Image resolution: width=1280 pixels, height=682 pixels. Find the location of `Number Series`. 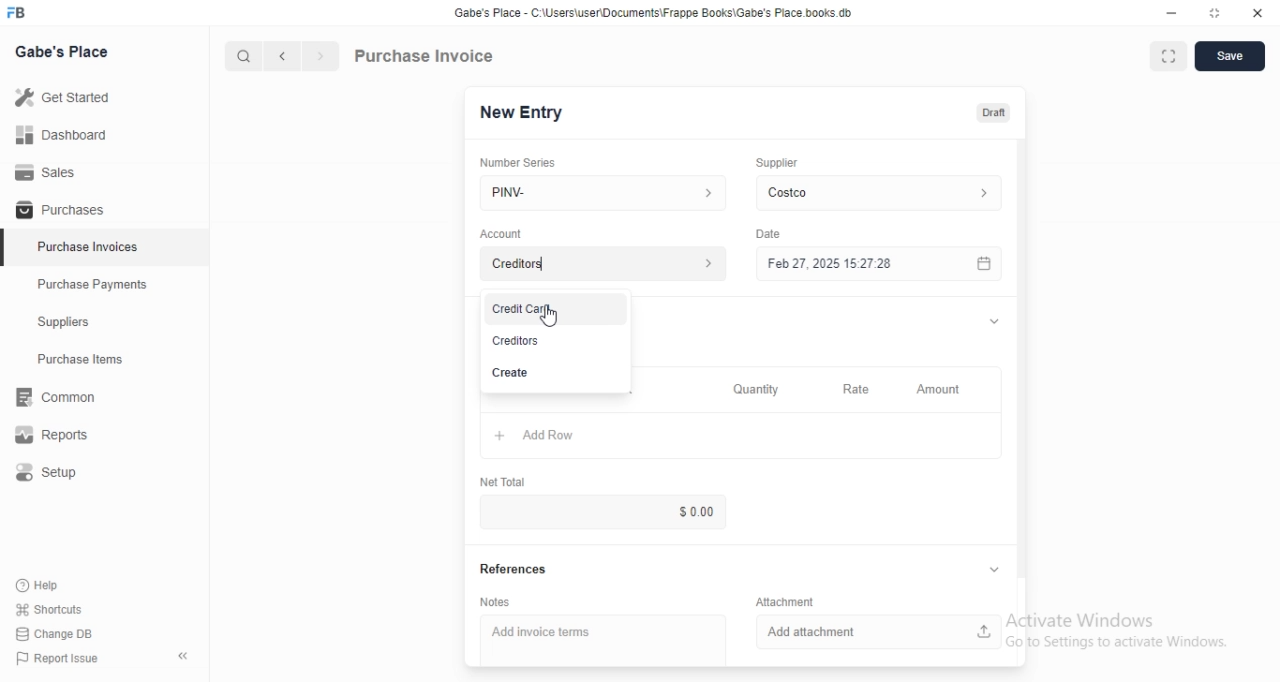

Number Series is located at coordinates (518, 163).